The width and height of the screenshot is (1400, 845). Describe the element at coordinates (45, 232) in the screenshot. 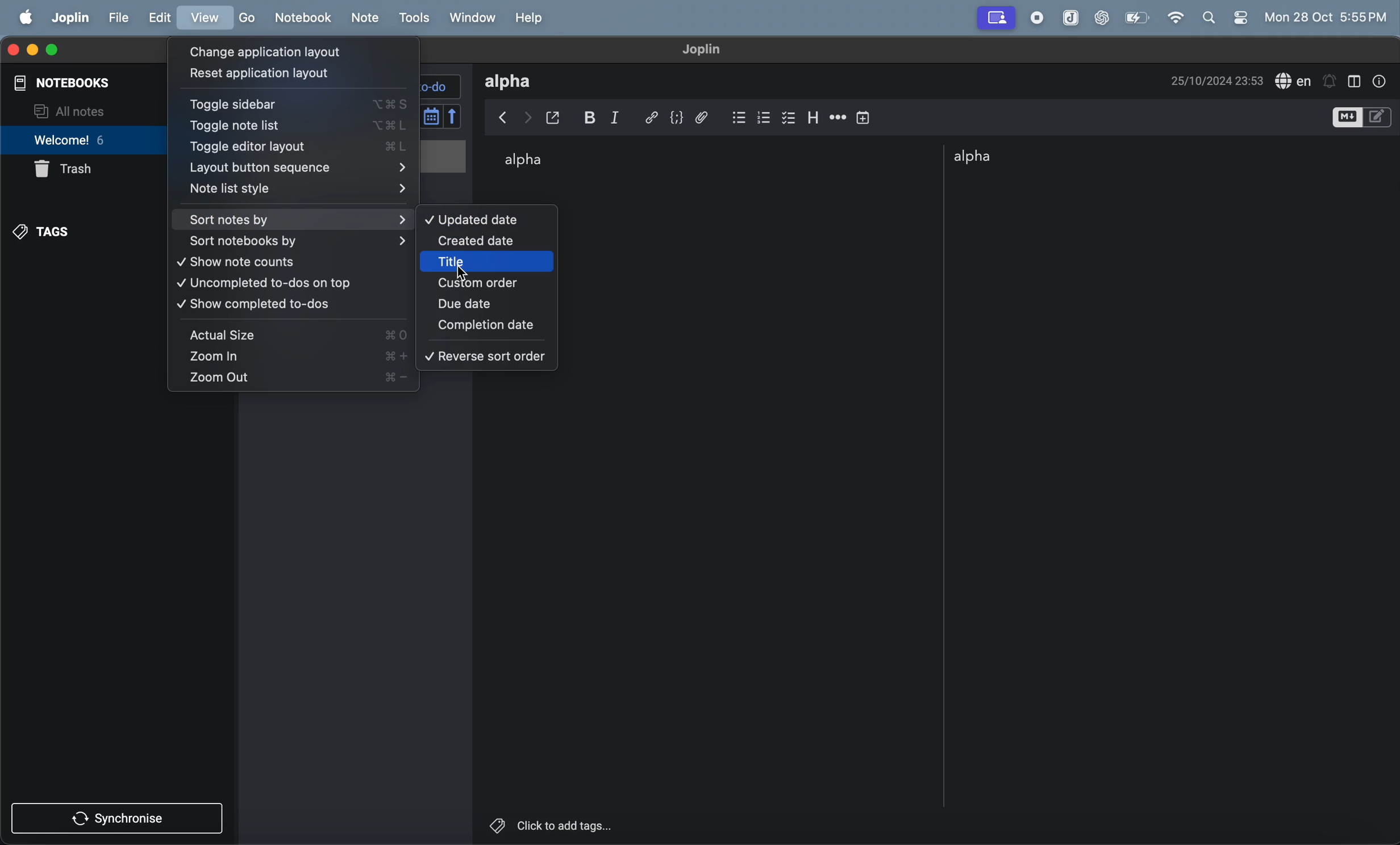

I see `tags` at that location.